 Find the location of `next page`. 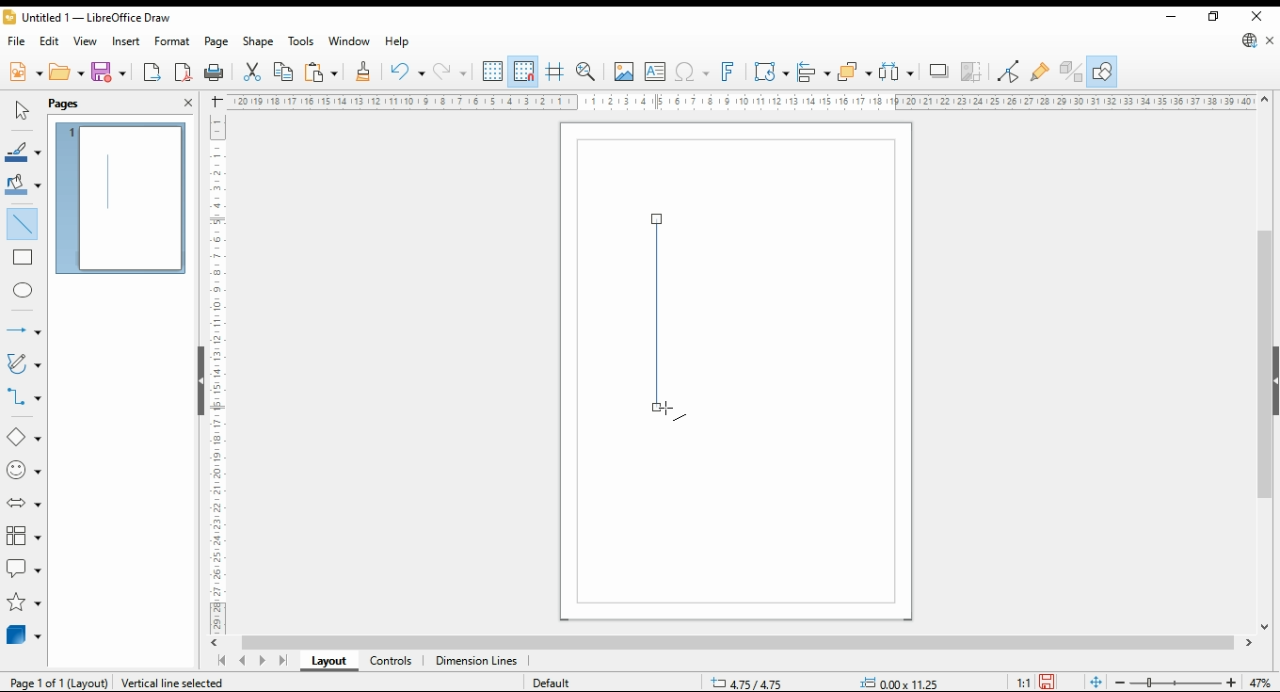

next page is located at coordinates (266, 661).